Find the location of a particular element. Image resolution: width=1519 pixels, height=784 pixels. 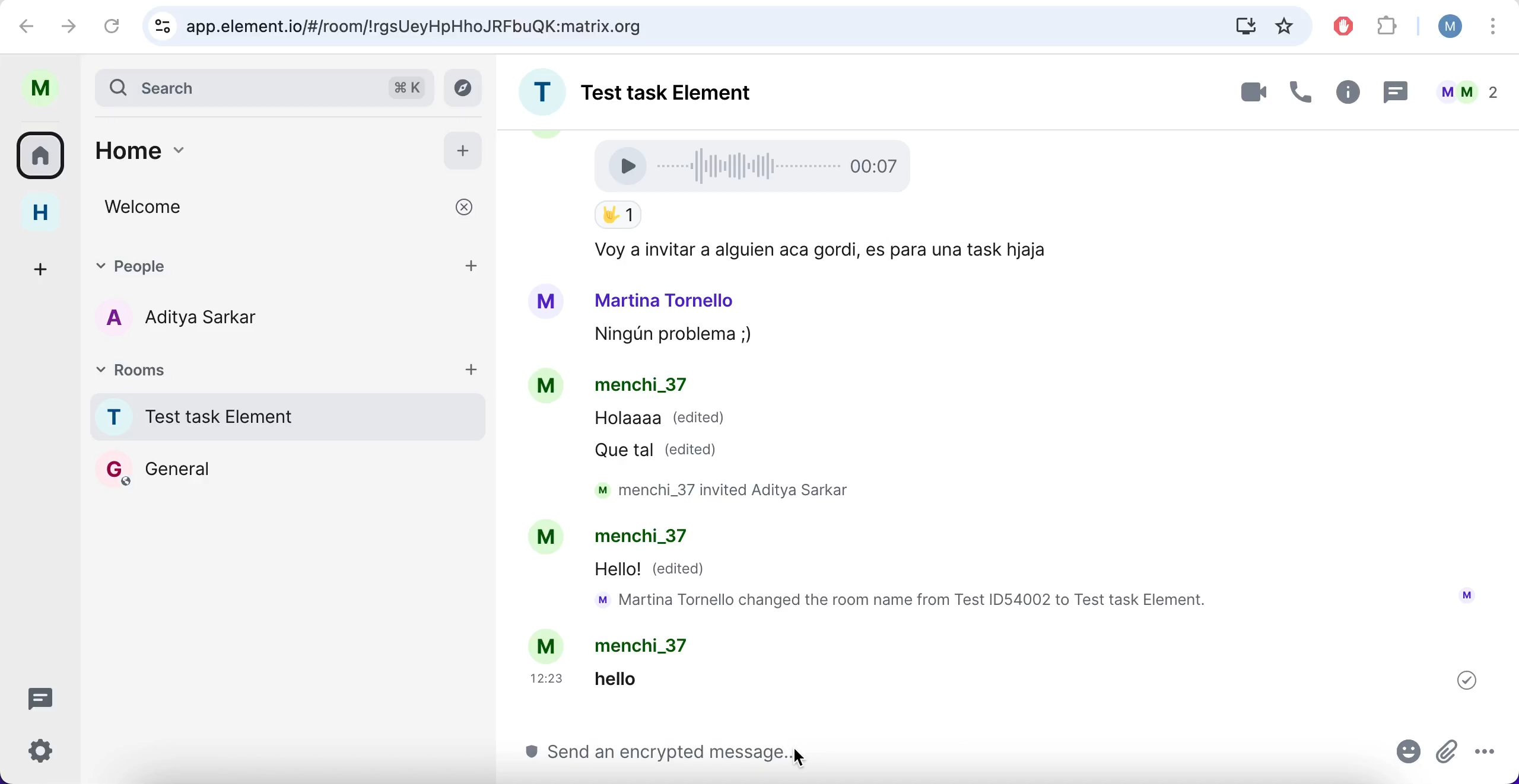

home is located at coordinates (247, 157).